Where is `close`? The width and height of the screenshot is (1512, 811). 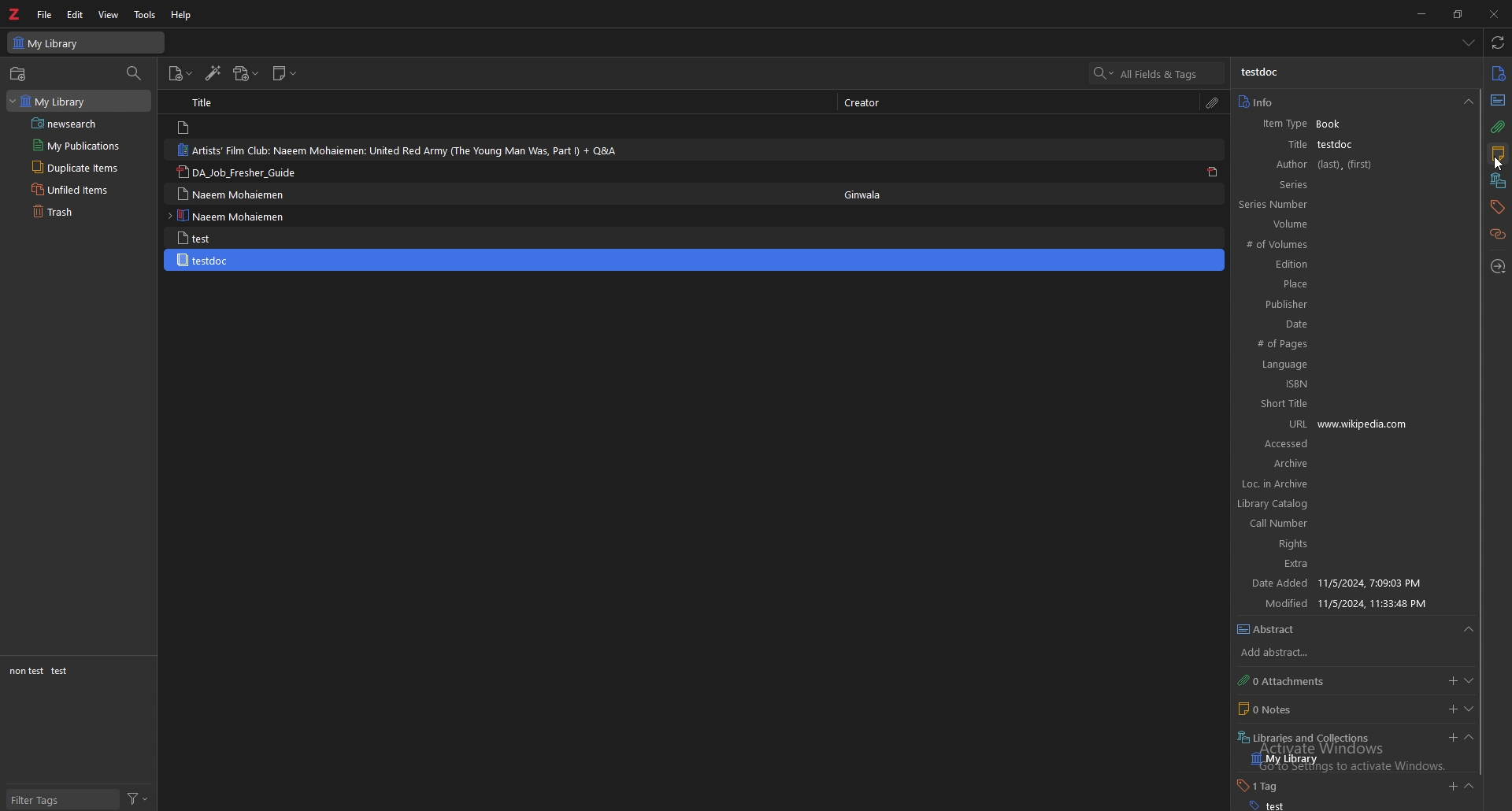 close is located at coordinates (1493, 13).